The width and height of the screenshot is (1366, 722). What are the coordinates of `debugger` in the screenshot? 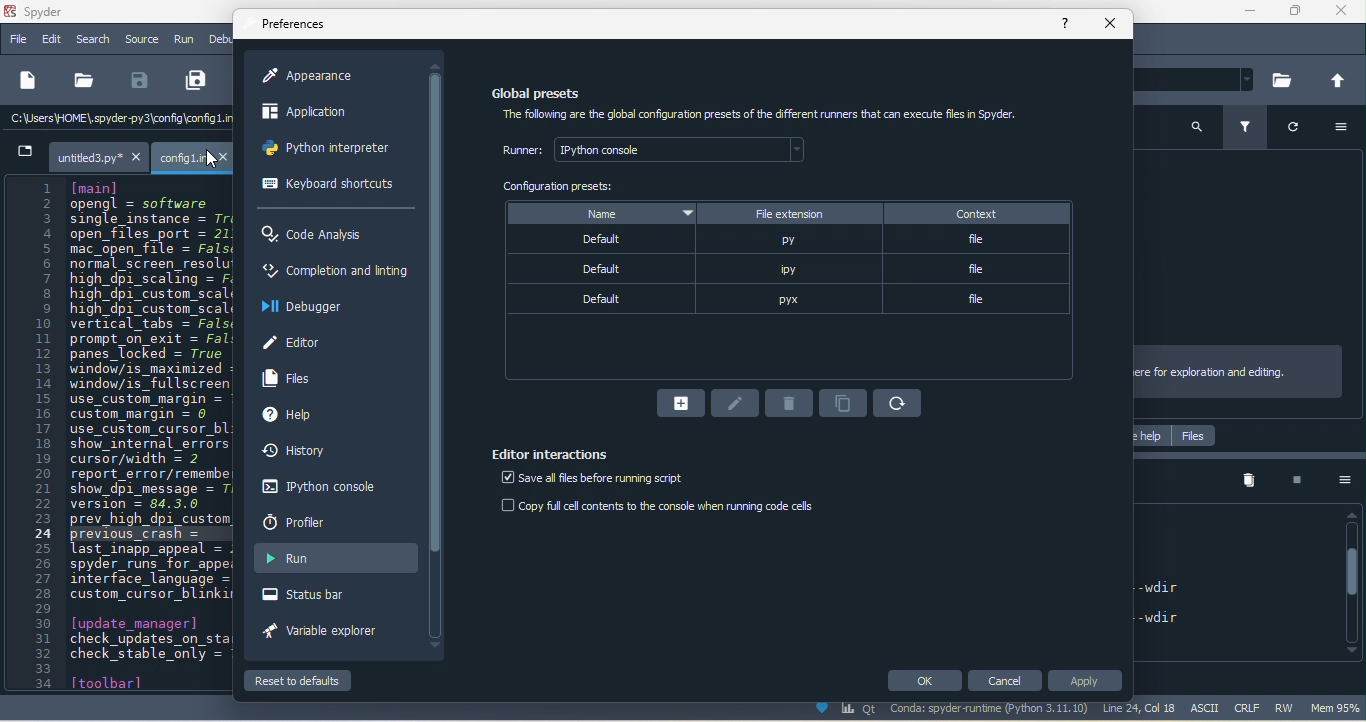 It's located at (299, 311).